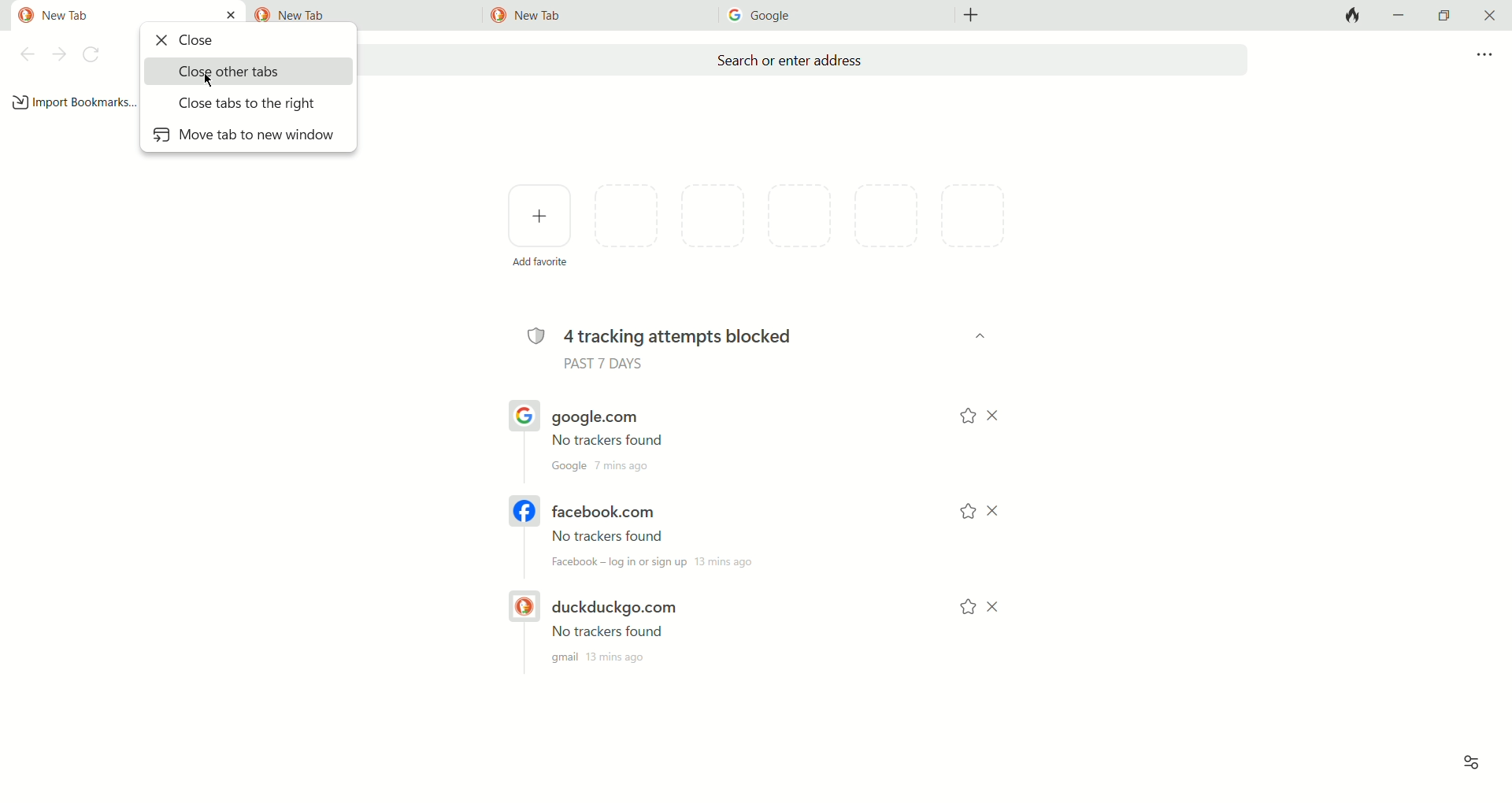  Describe the element at coordinates (635, 534) in the screenshot. I see `FACEBOOK.COM URL` at that location.